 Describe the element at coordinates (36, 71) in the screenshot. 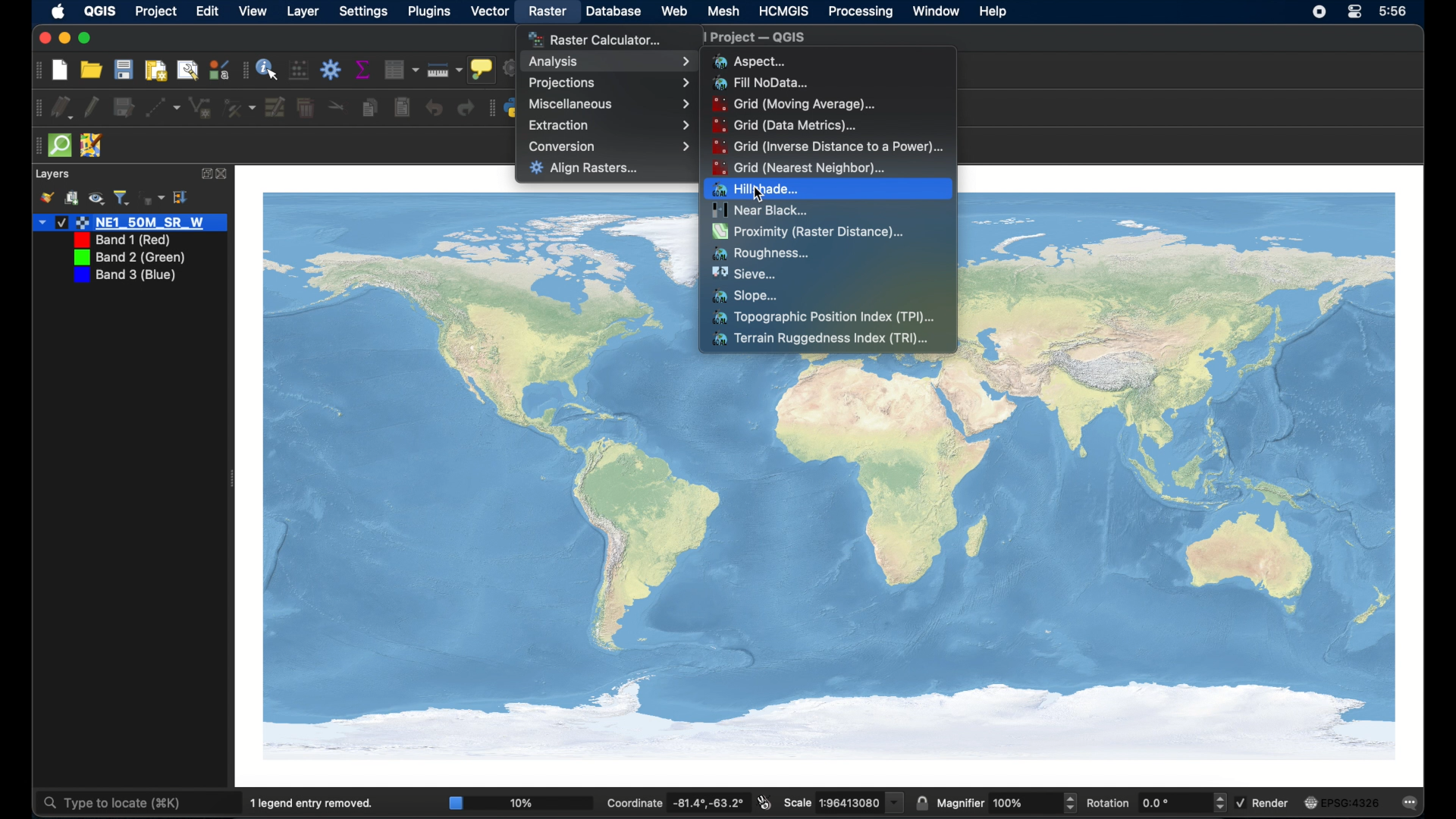

I see `drag handle` at that location.